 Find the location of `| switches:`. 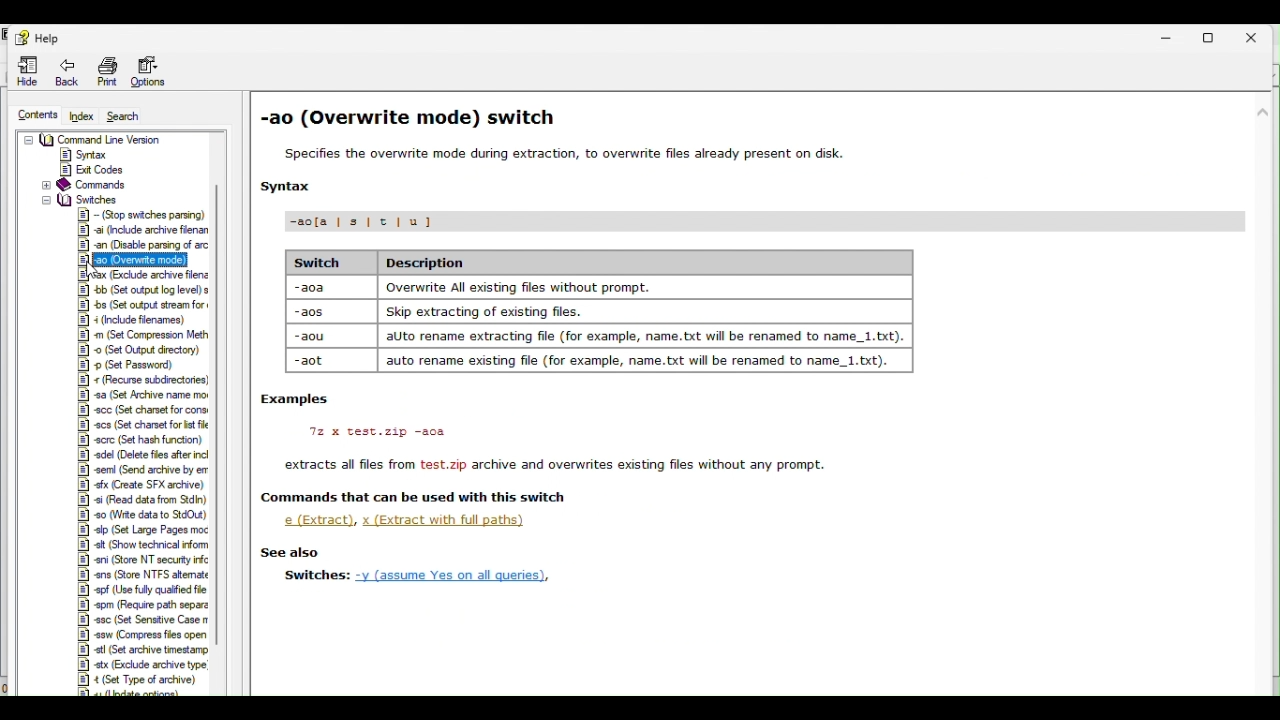

| switches: is located at coordinates (312, 575).